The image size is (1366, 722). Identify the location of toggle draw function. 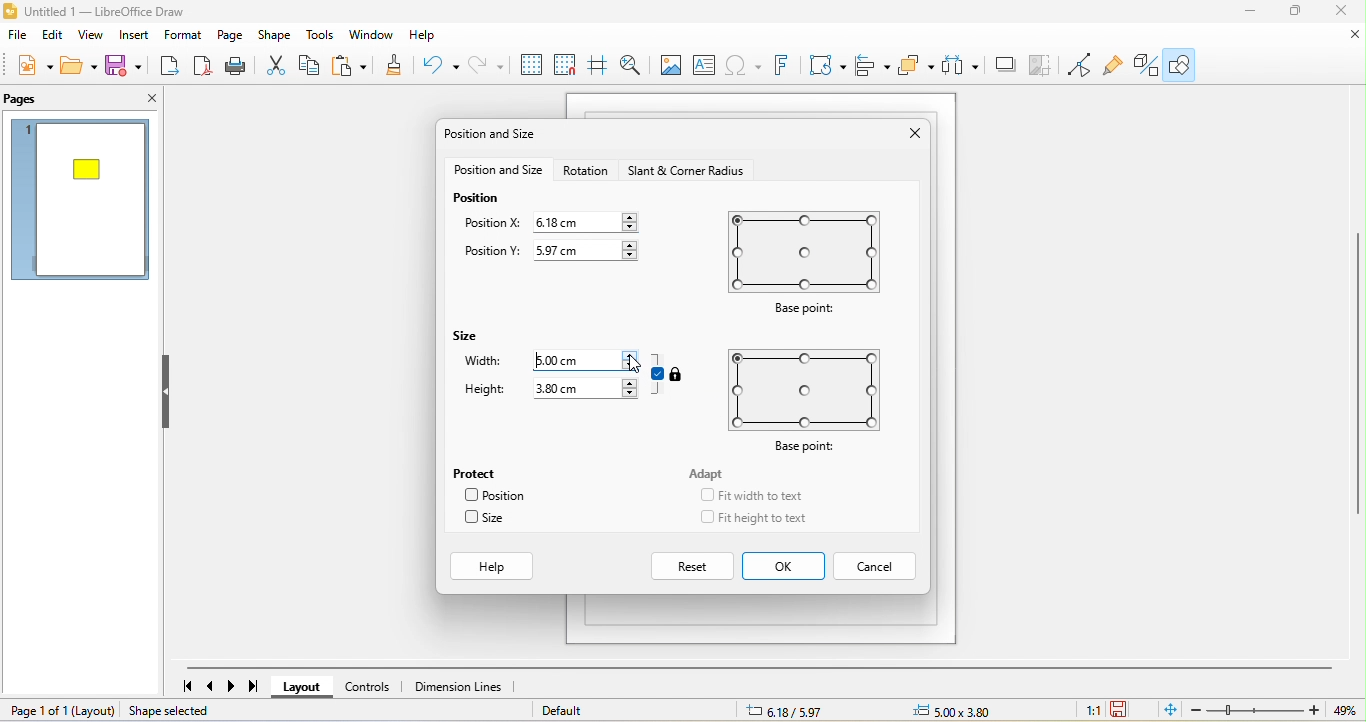
(1144, 63).